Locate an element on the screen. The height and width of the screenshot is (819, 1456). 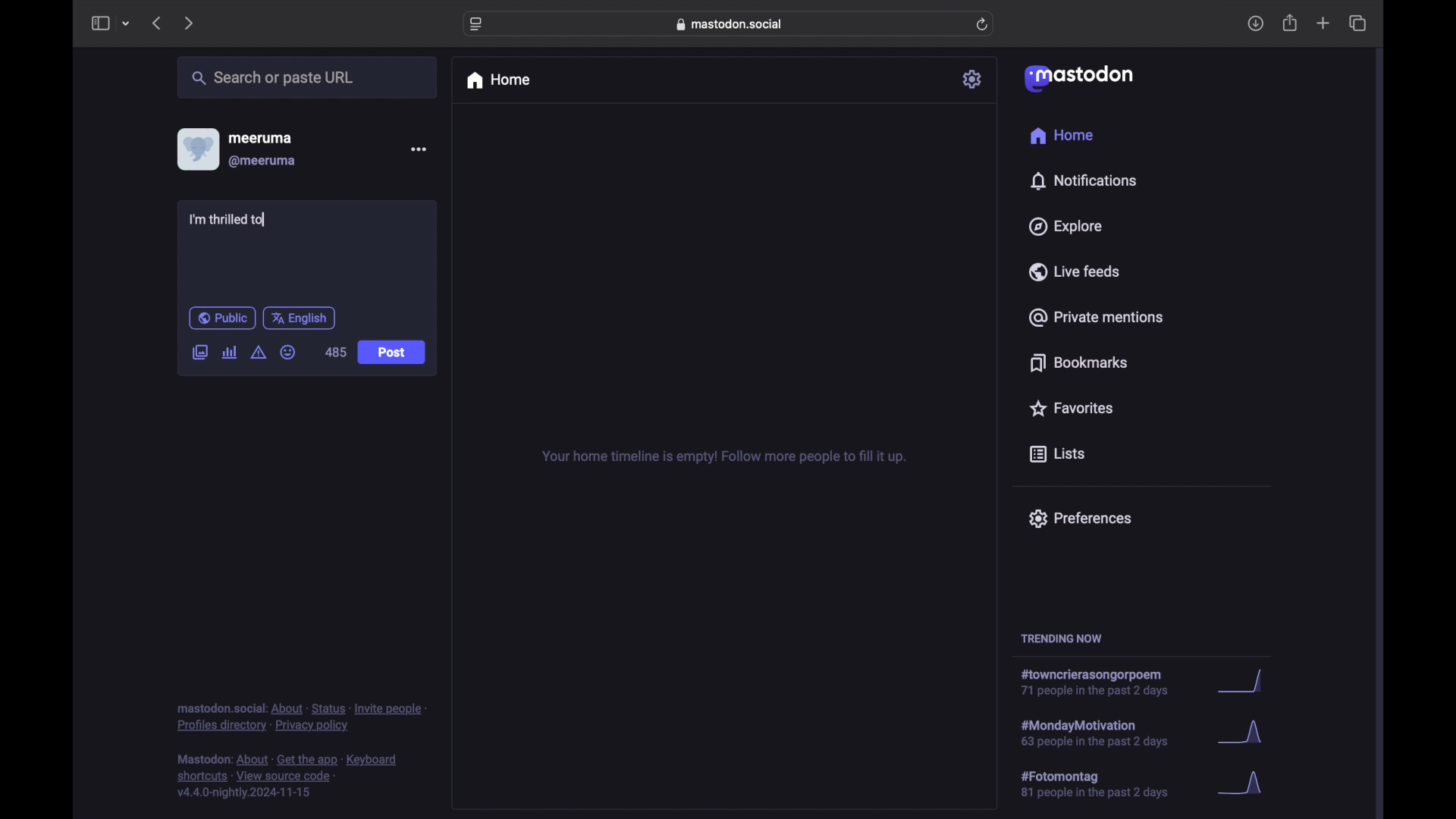
footnote is located at coordinates (287, 777).